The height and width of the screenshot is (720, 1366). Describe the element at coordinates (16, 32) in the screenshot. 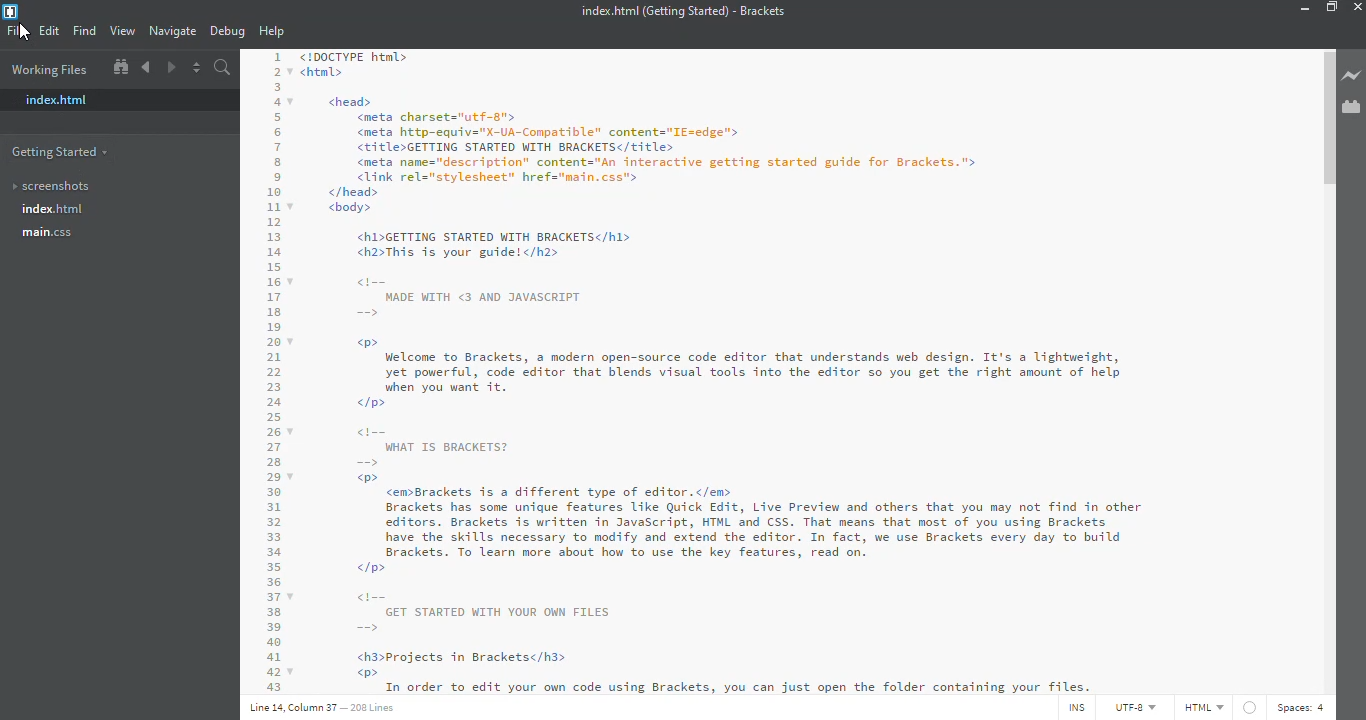

I see `file` at that location.